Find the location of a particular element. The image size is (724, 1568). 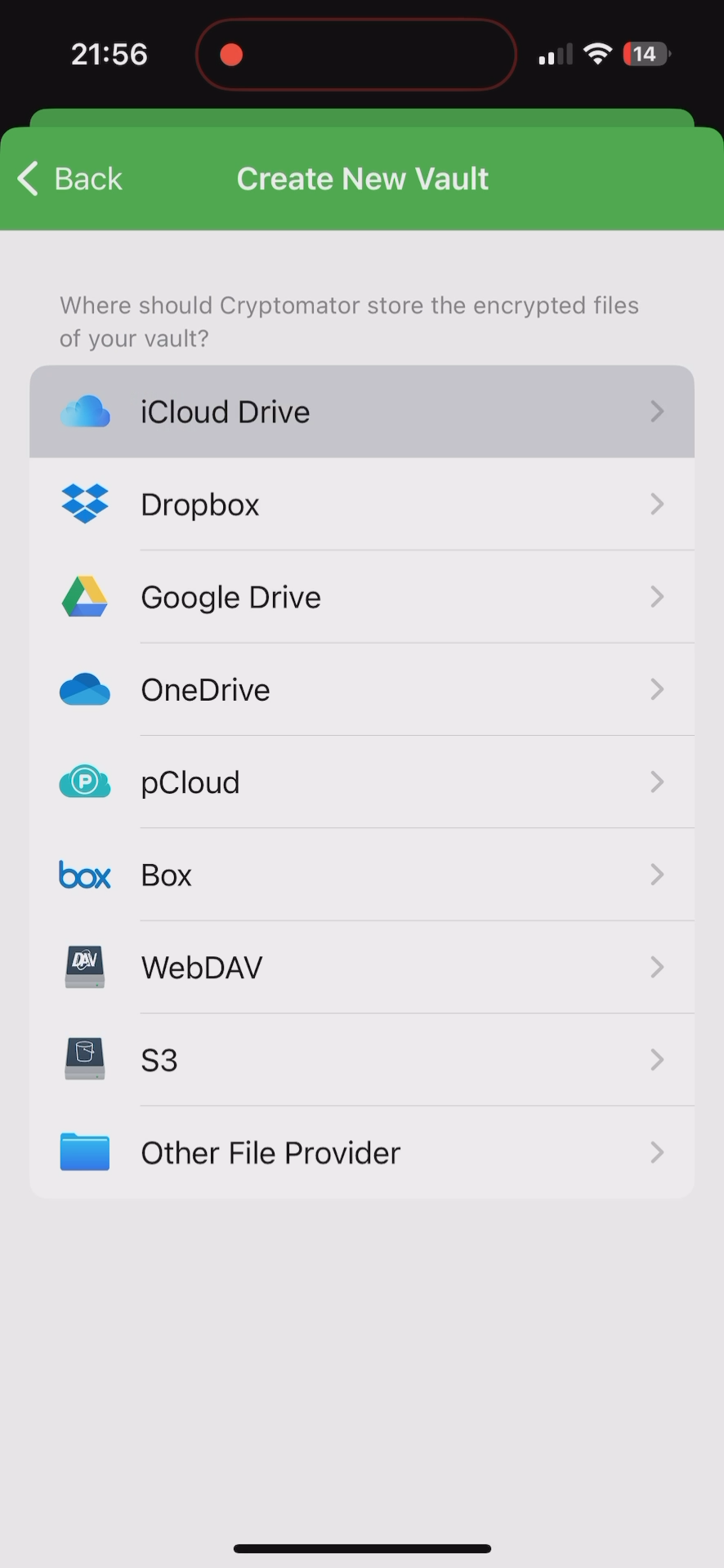

add vault is located at coordinates (103, 178).